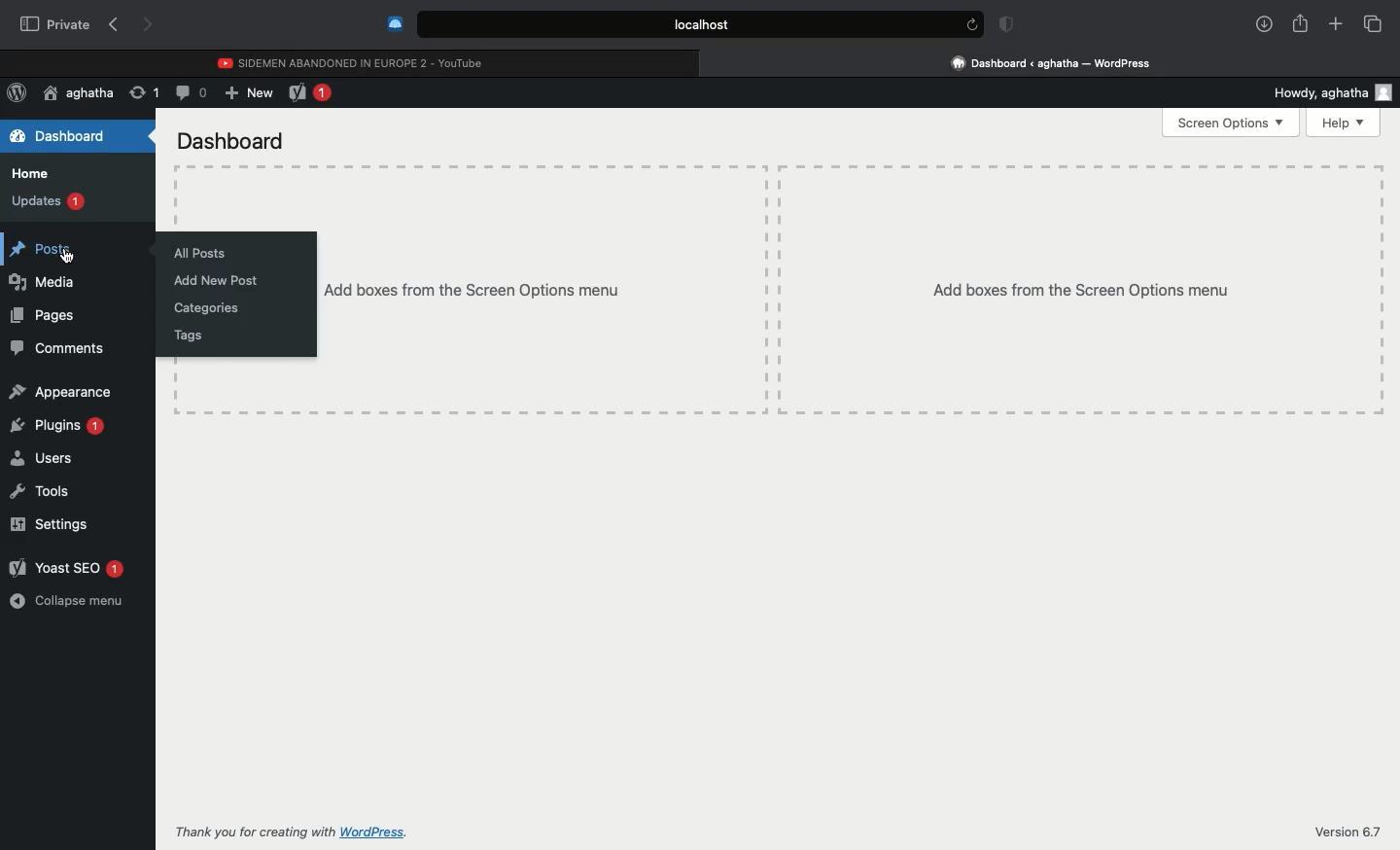 This screenshot has height=850, width=1400. What do you see at coordinates (113, 25) in the screenshot?
I see `Previous page` at bounding box center [113, 25].